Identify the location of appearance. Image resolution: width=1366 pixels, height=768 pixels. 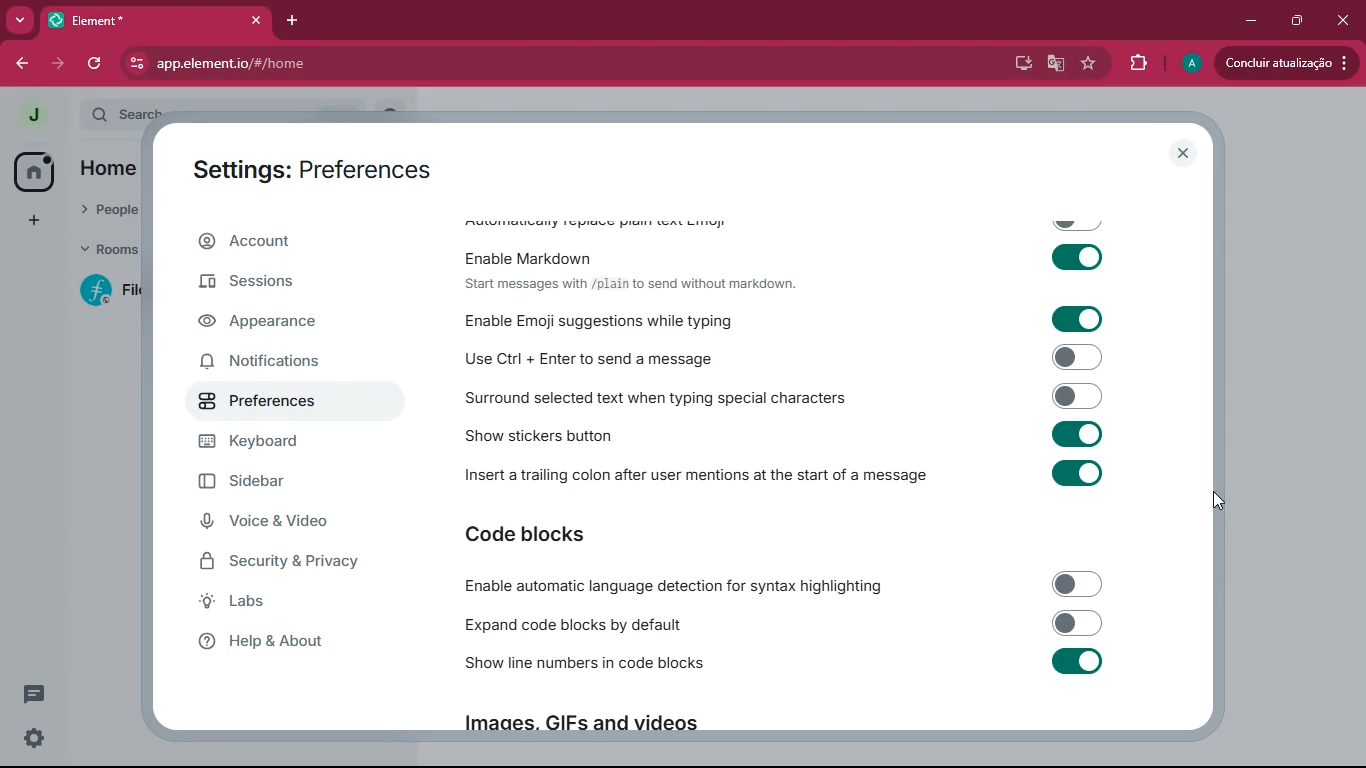
(279, 324).